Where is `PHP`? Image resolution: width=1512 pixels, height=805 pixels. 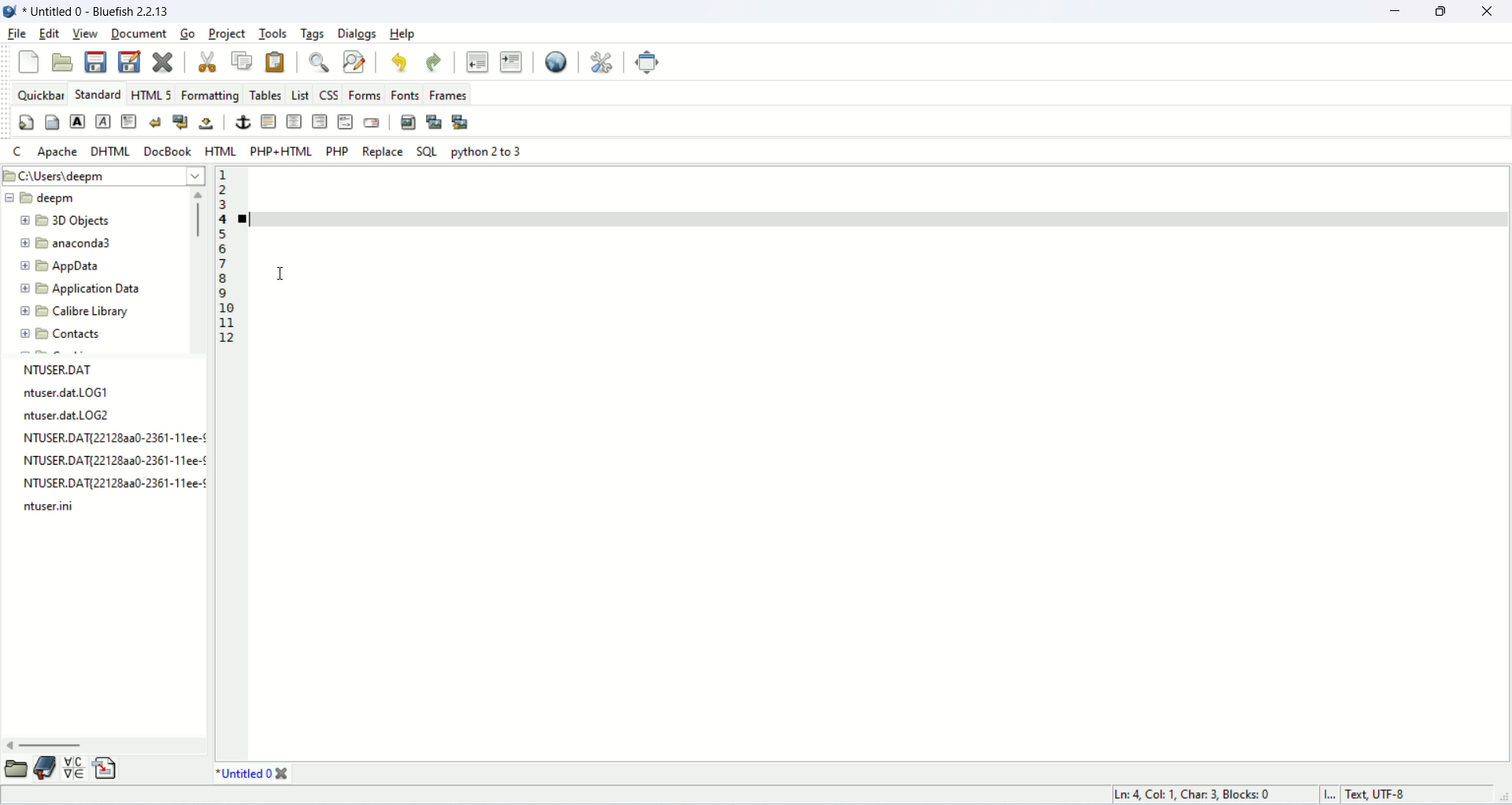 PHP is located at coordinates (339, 151).